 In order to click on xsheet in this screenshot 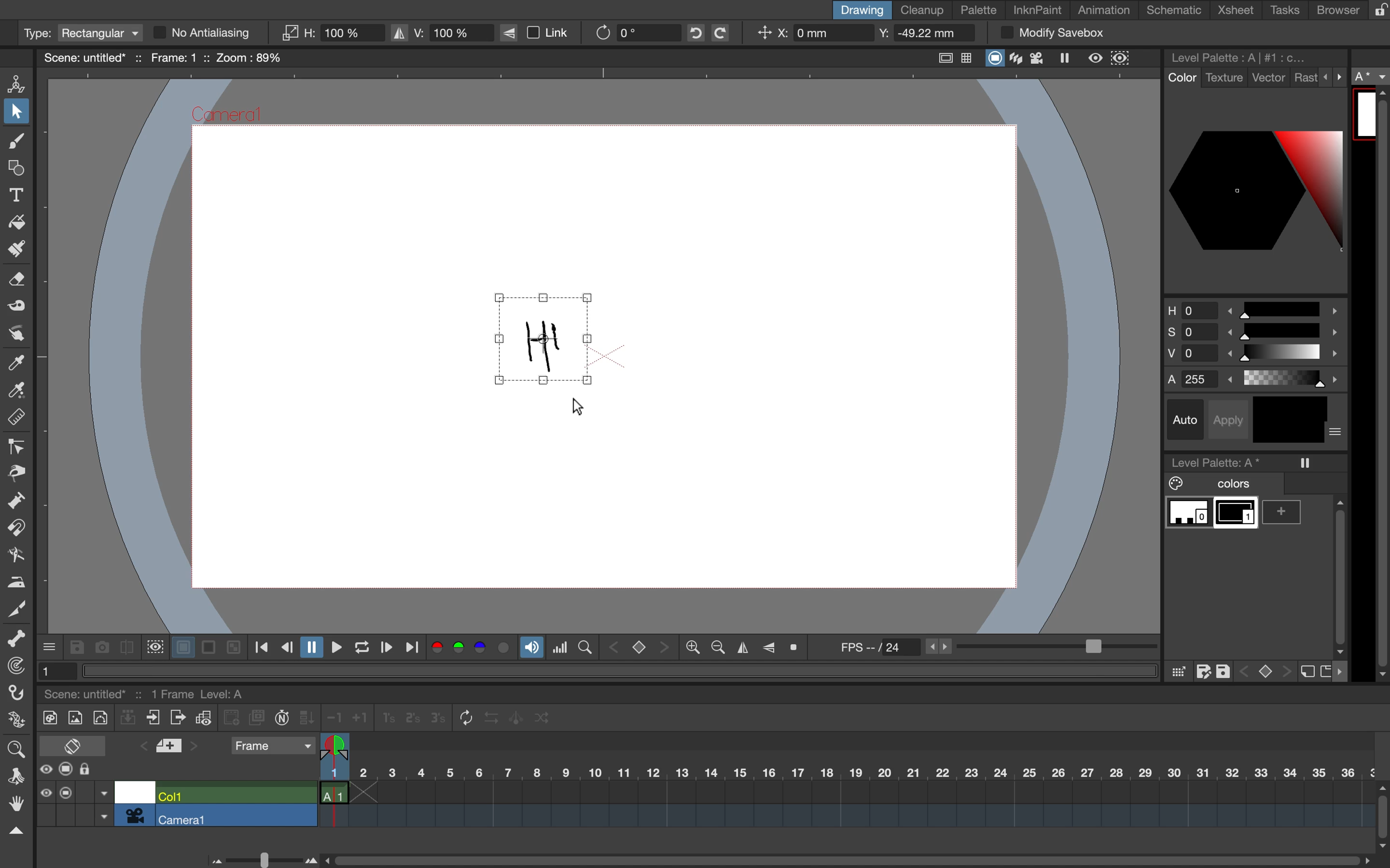, I will do `click(1238, 11)`.